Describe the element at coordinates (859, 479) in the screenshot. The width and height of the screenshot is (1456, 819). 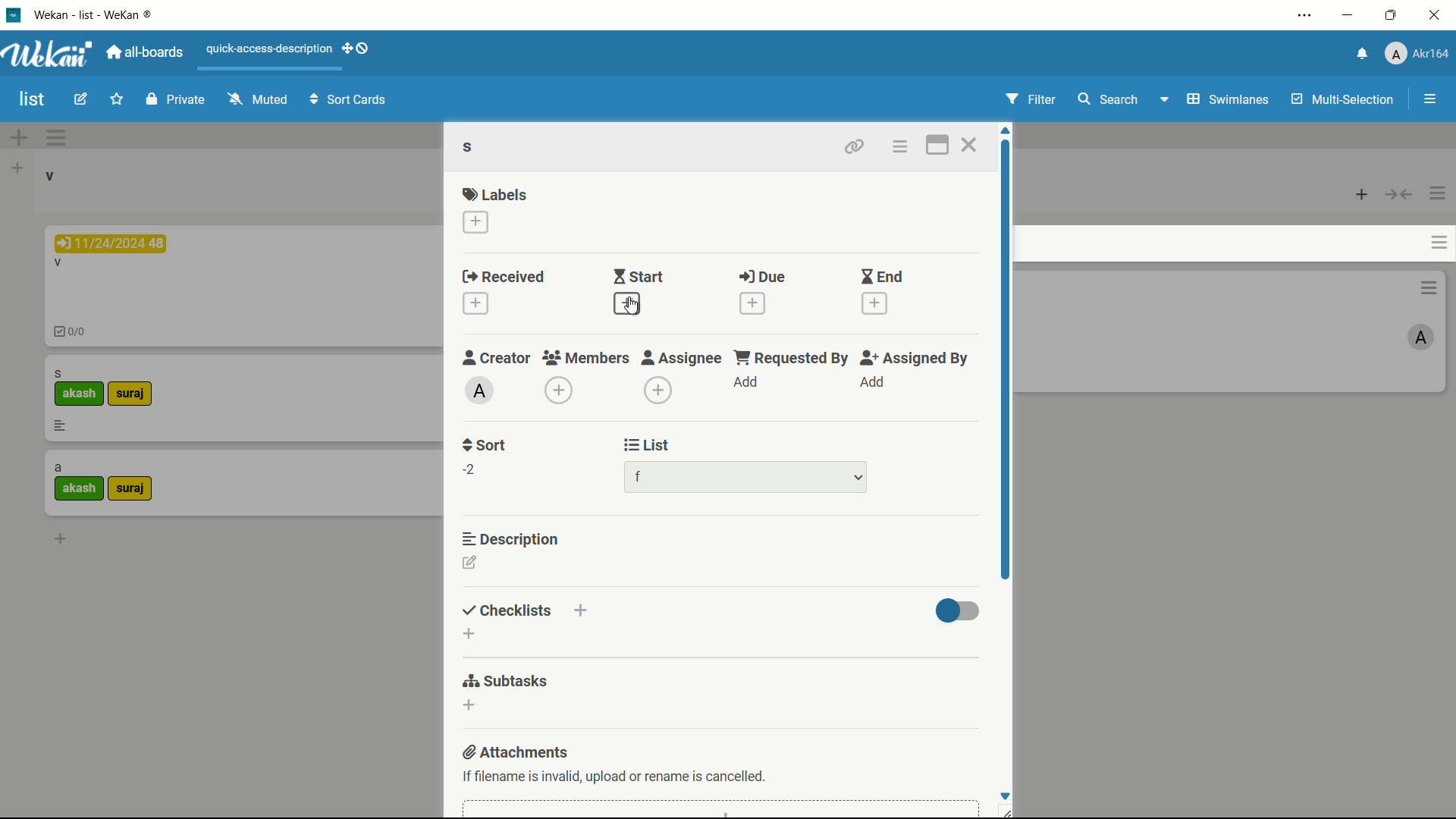
I see `dropdown` at that location.